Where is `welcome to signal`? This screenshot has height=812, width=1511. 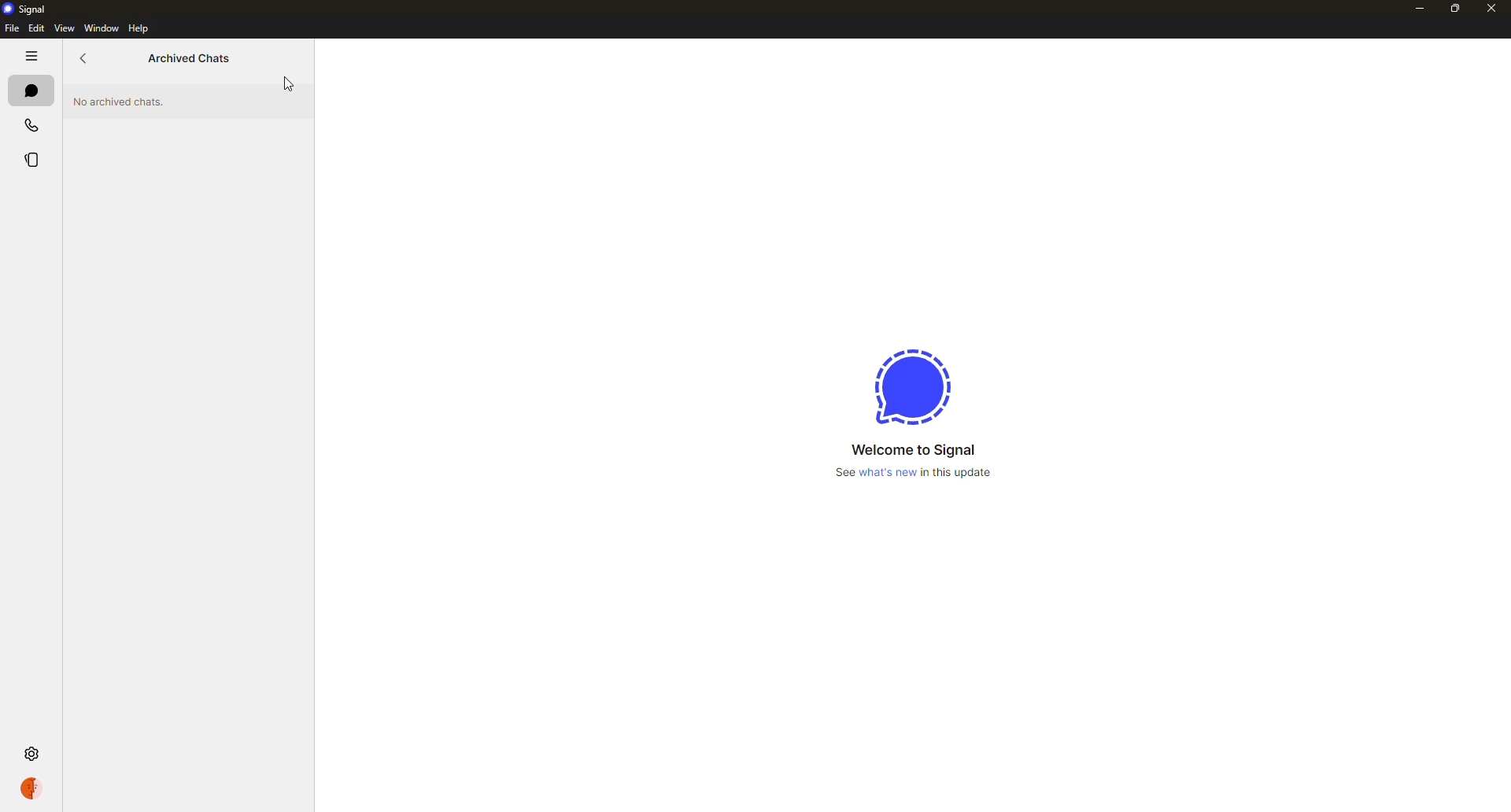 welcome to signal is located at coordinates (914, 449).